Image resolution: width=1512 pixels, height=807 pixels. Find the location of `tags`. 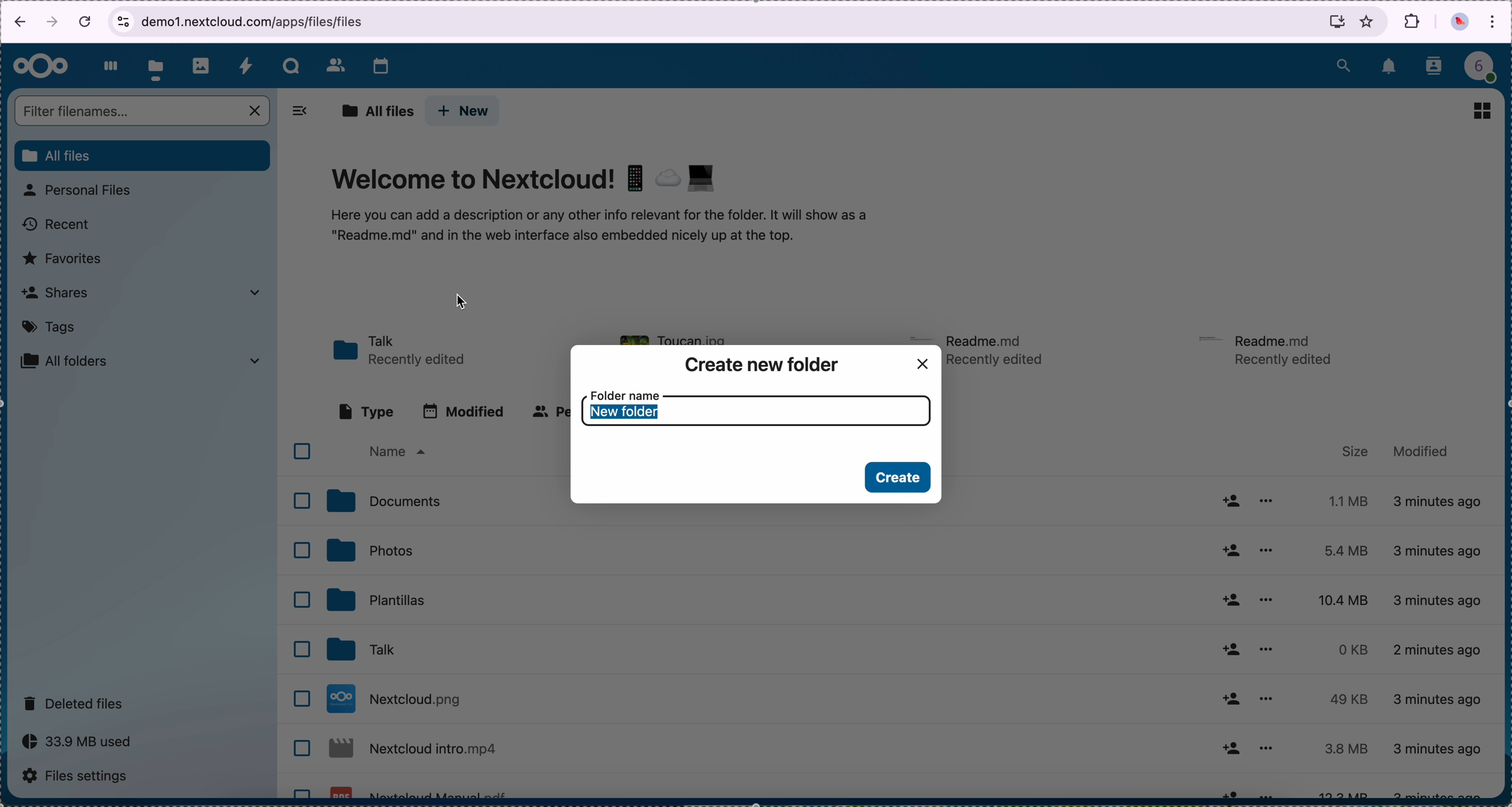

tags is located at coordinates (50, 327).